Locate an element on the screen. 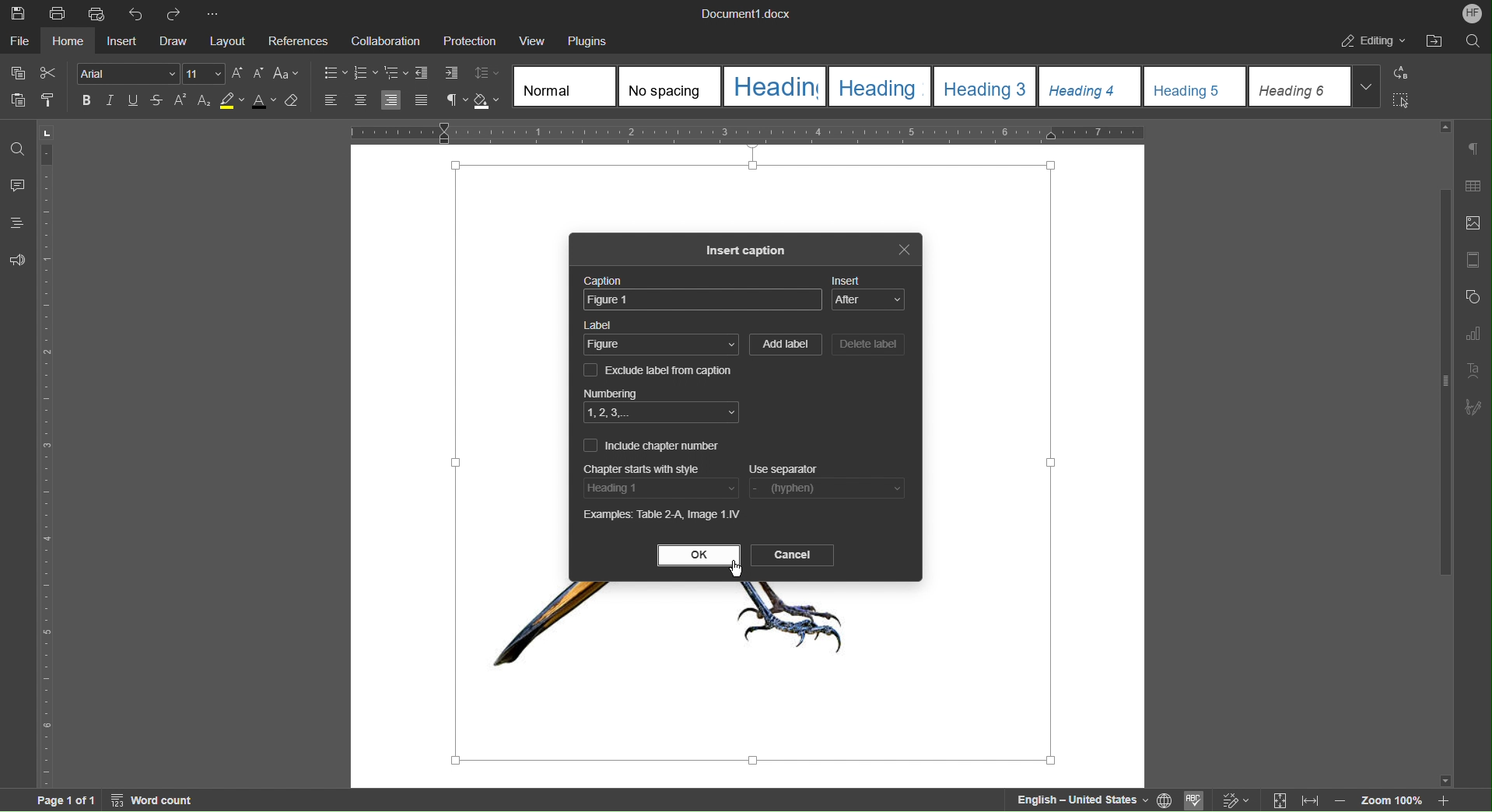 This screenshot has height=812, width=1492. Save is located at coordinates (18, 12).